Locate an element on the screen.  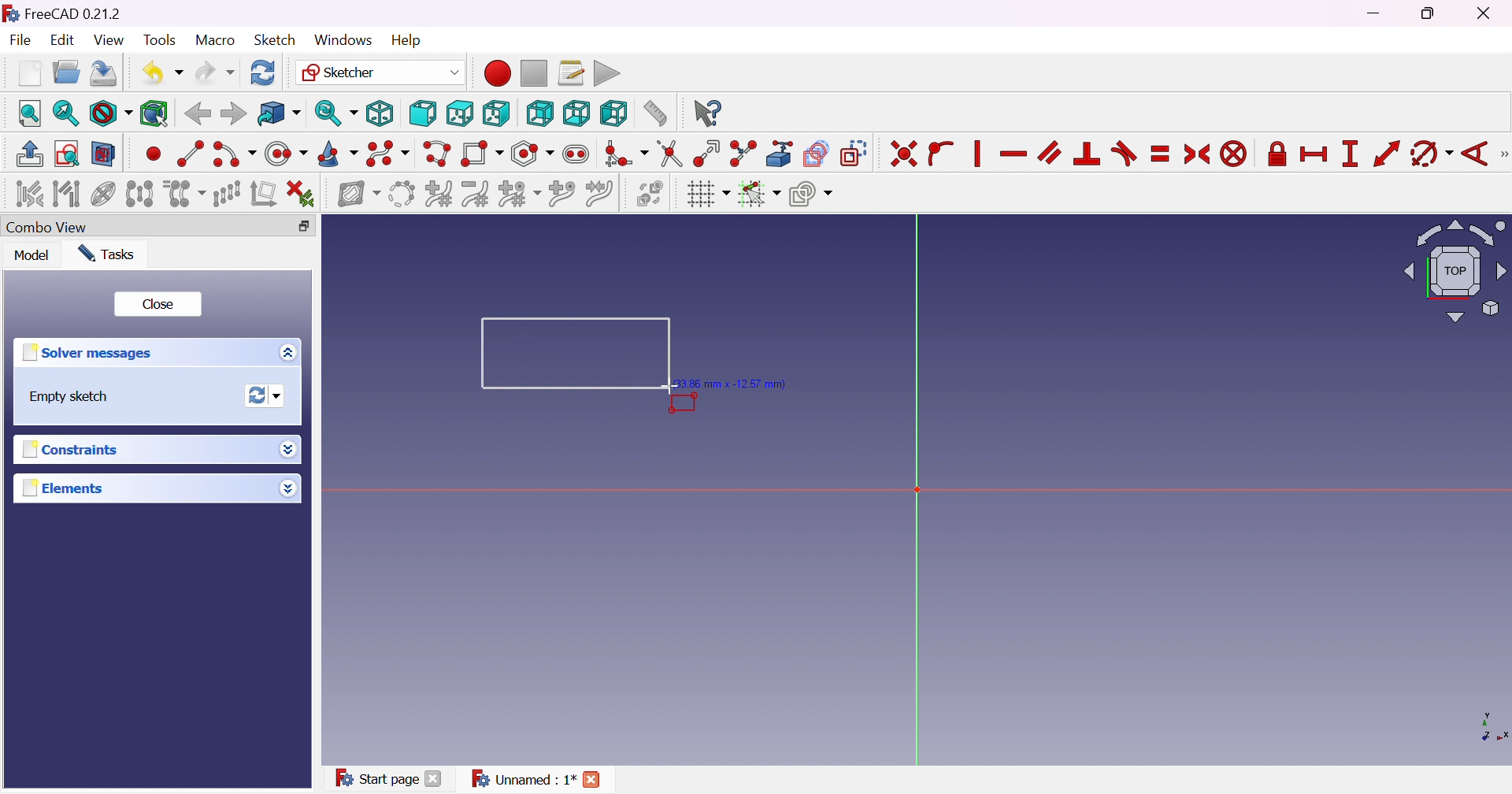
Rectangular array is located at coordinates (228, 194).